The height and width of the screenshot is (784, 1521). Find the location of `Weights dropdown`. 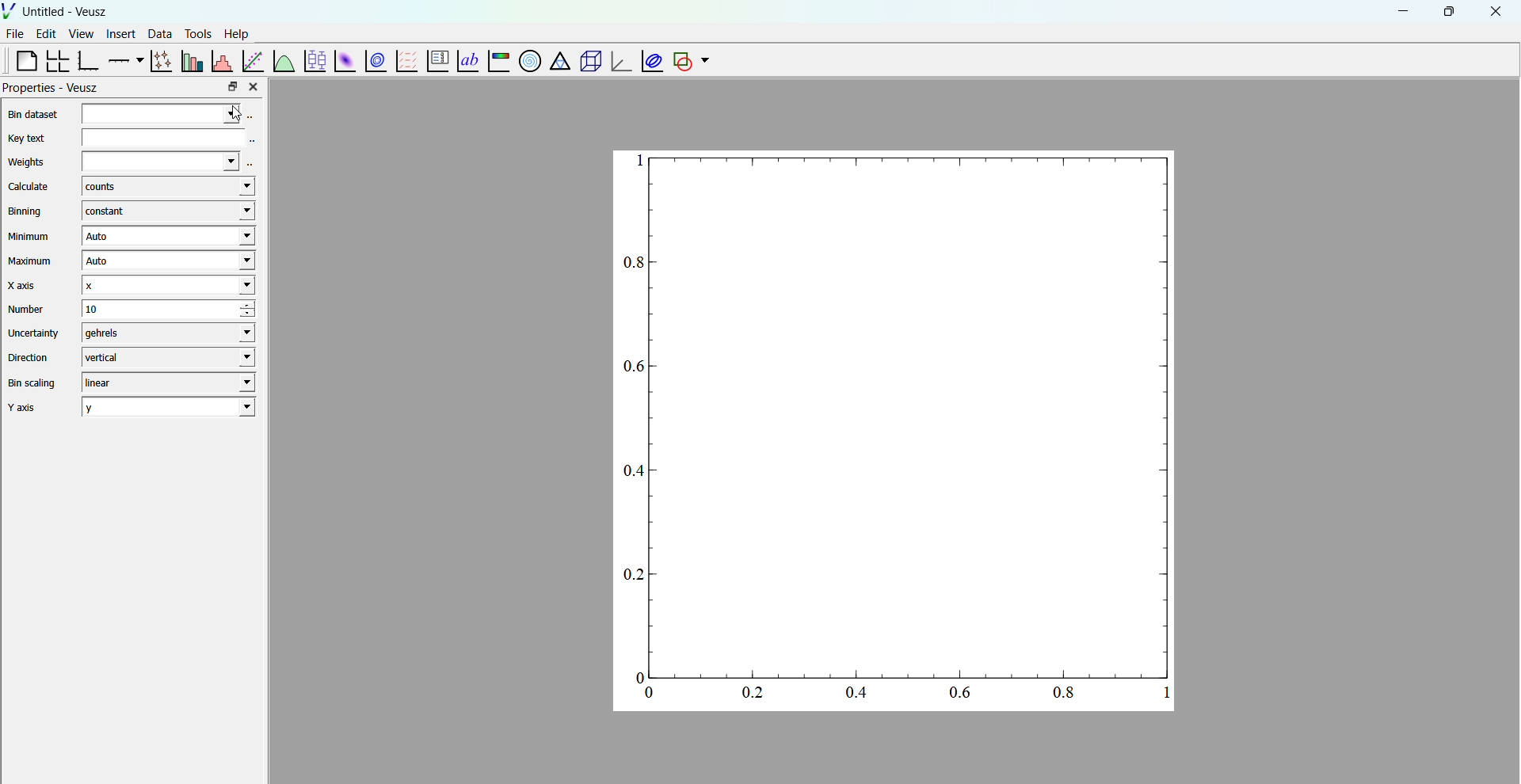

Weights dropdown is located at coordinates (161, 161).